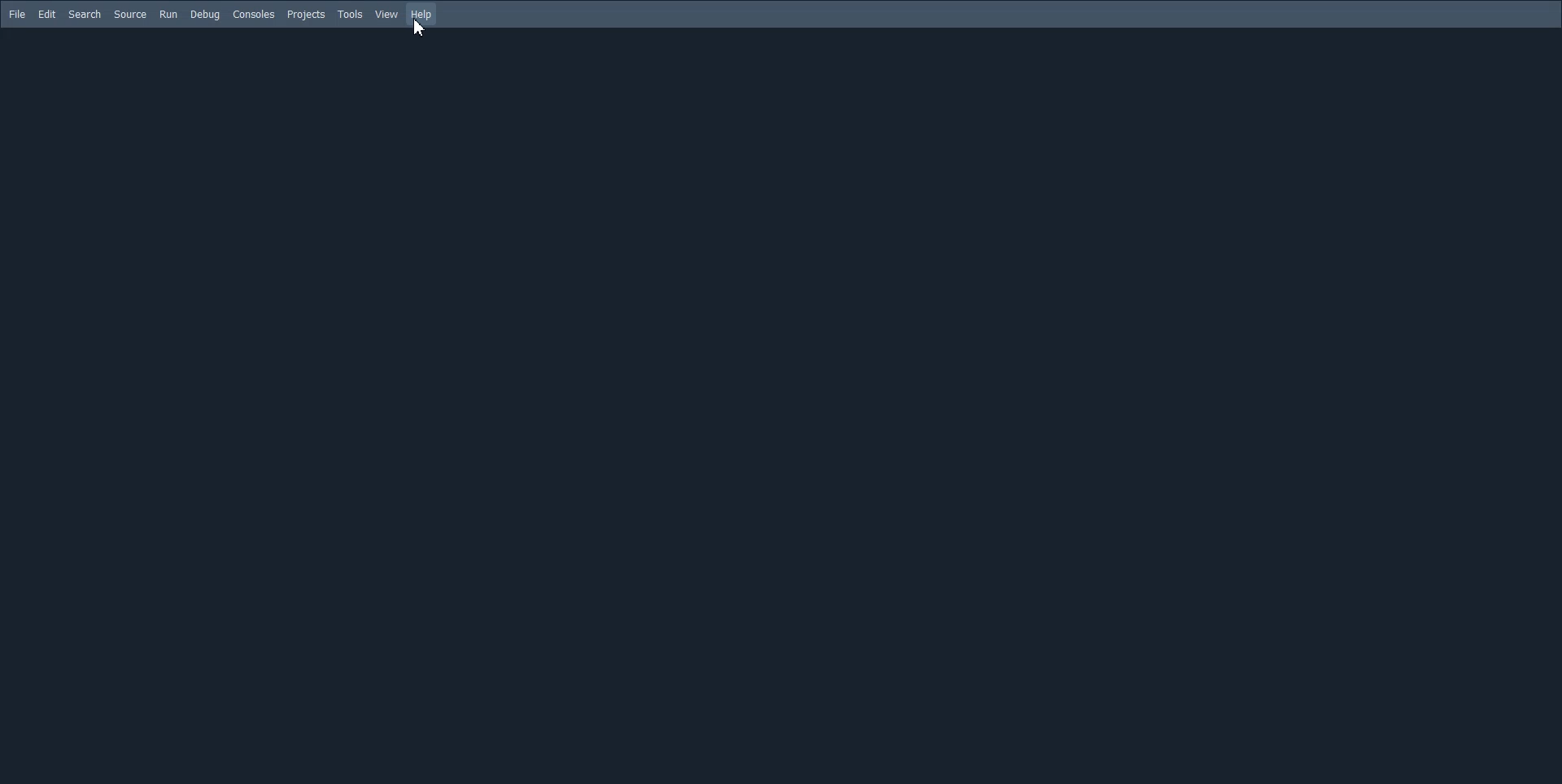 Image resolution: width=1562 pixels, height=784 pixels. What do you see at coordinates (387, 14) in the screenshot?
I see `View` at bounding box center [387, 14].